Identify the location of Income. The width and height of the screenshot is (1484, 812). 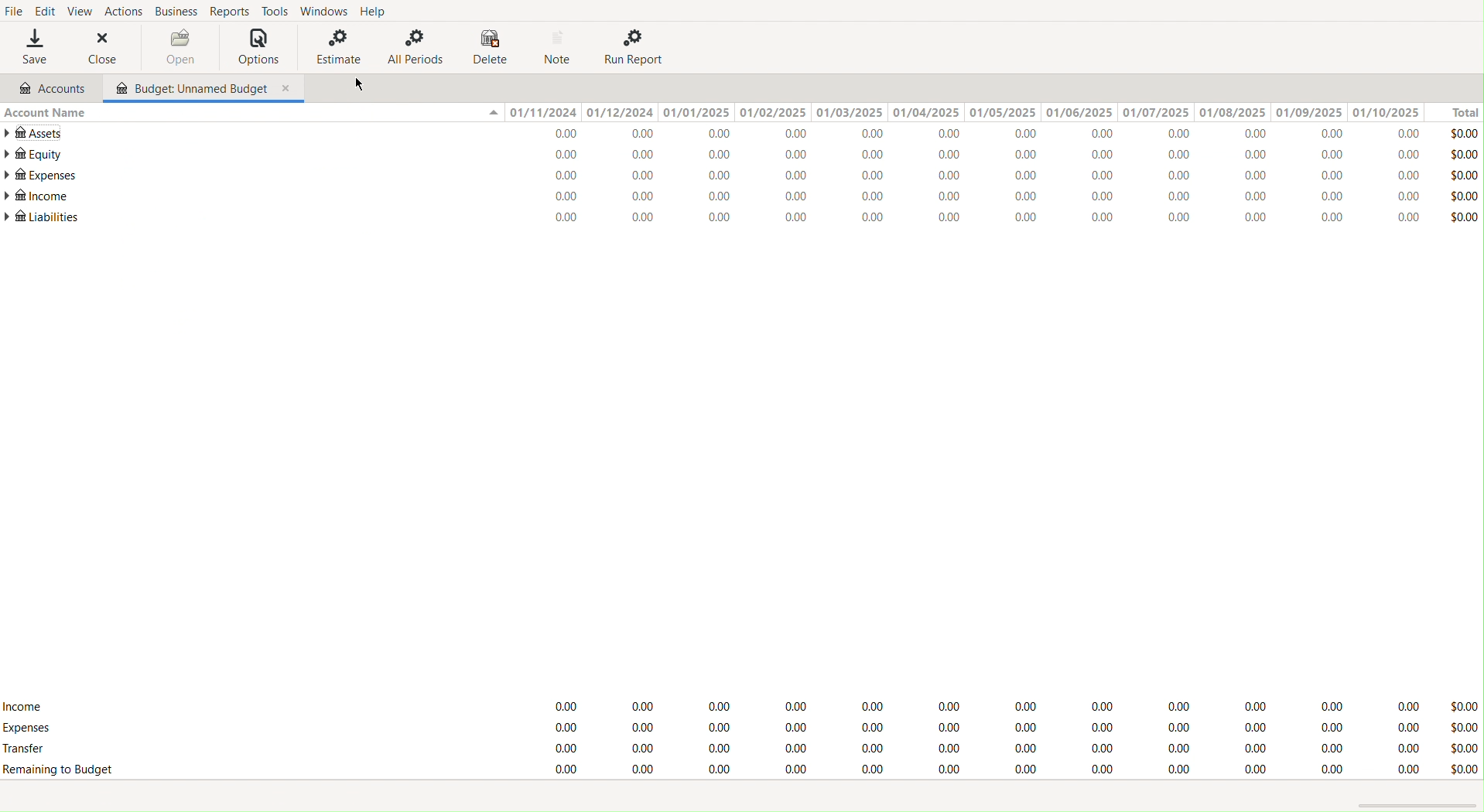
(28, 707).